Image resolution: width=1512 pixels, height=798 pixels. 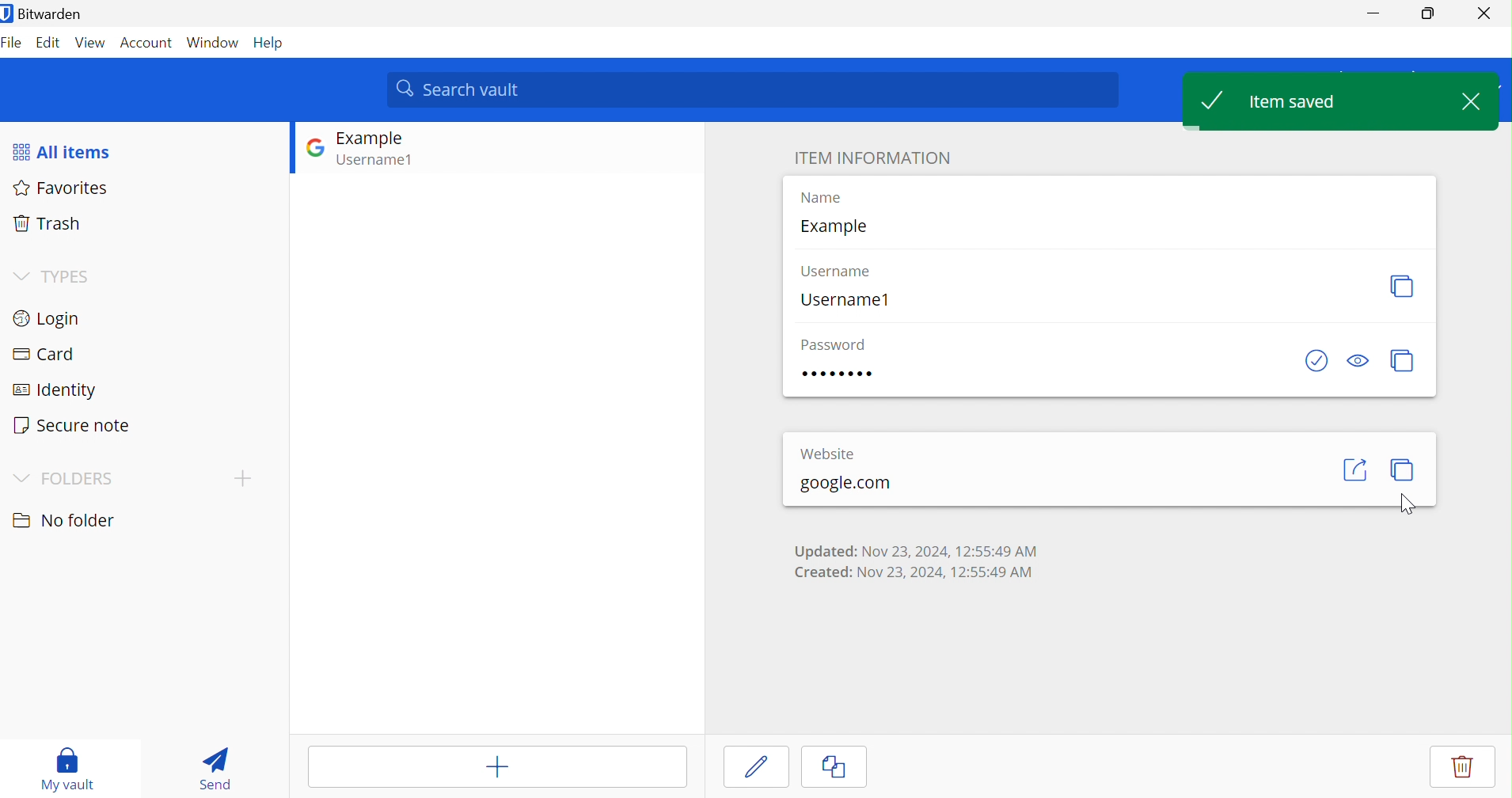 What do you see at coordinates (1354, 469) in the screenshot?
I see `Launch` at bounding box center [1354, 469].